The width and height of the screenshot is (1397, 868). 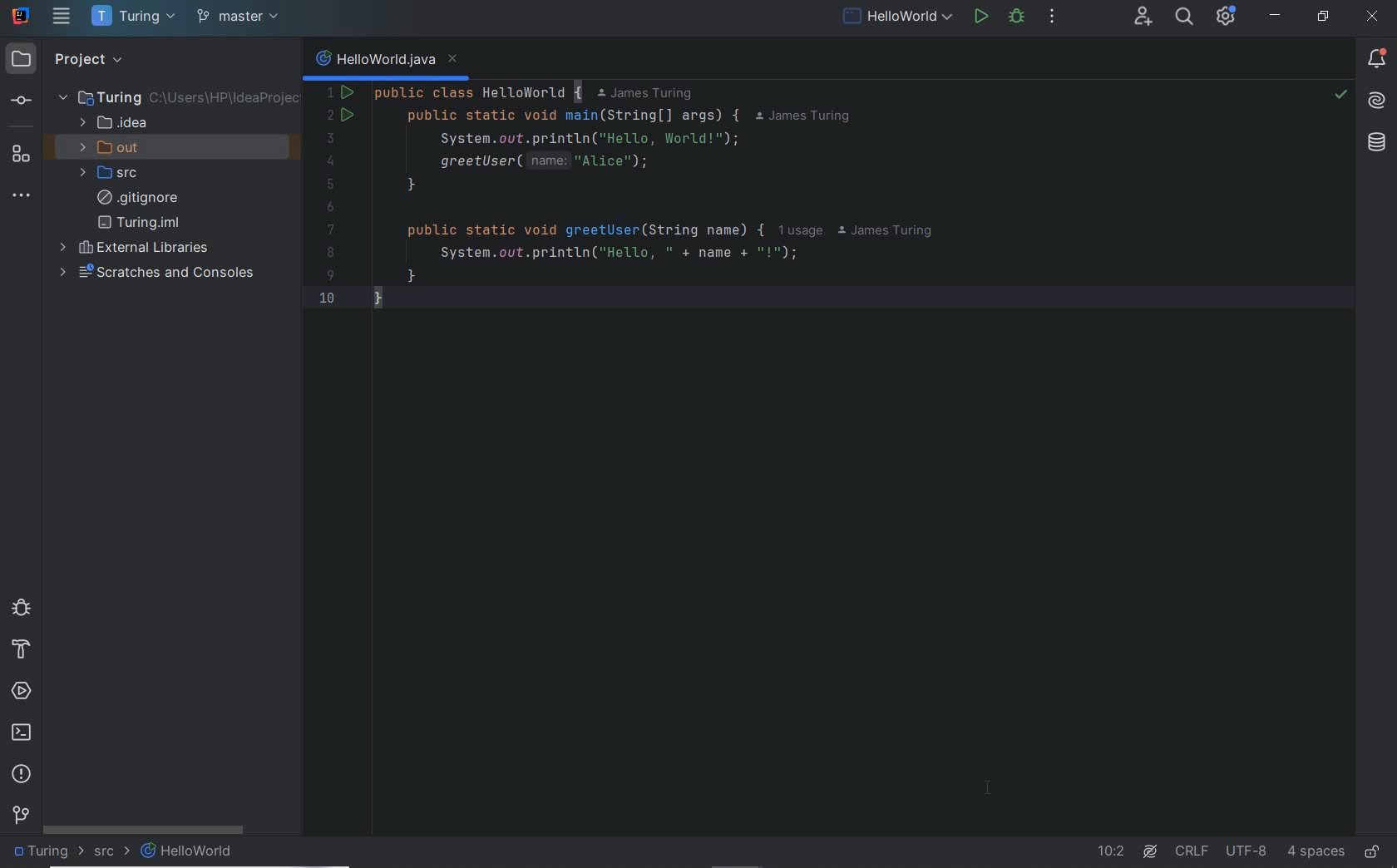 I want to click on RUN, so click(x=979, y=15).